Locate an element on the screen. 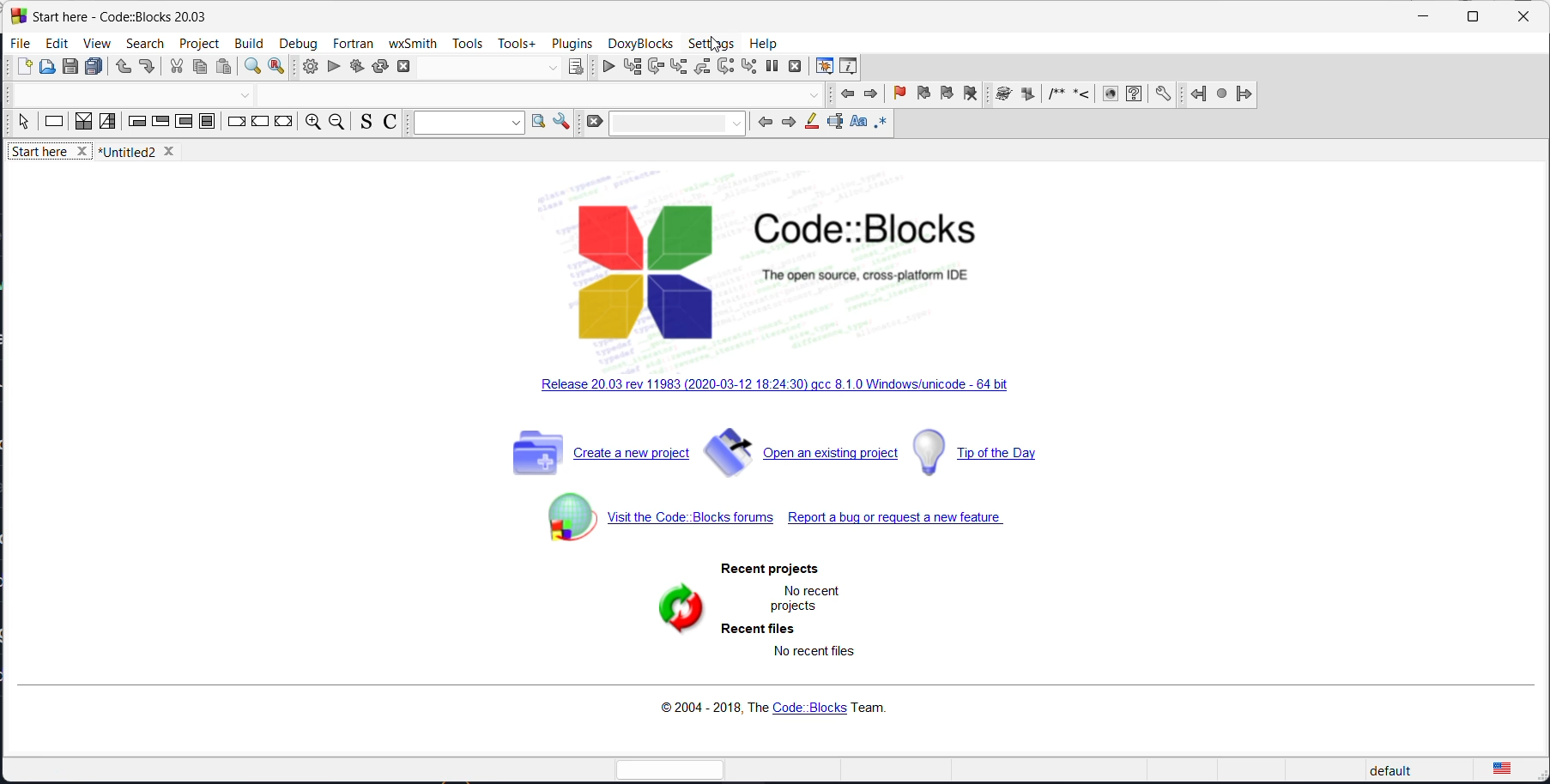  stop out is located at coordinates (704, 66).